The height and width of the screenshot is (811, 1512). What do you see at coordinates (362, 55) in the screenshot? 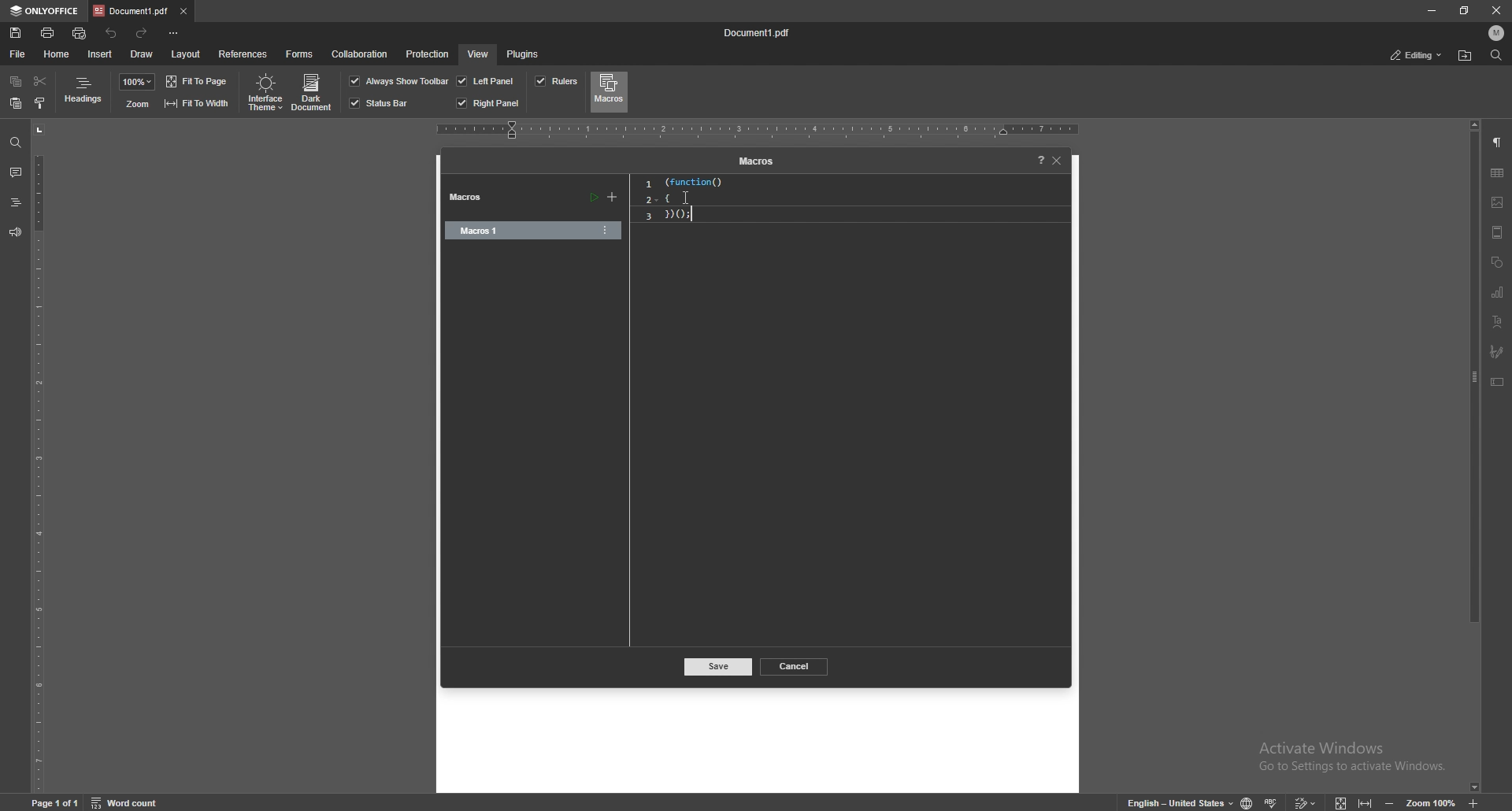
I see `collaboration` at bounding box center [362, 55].